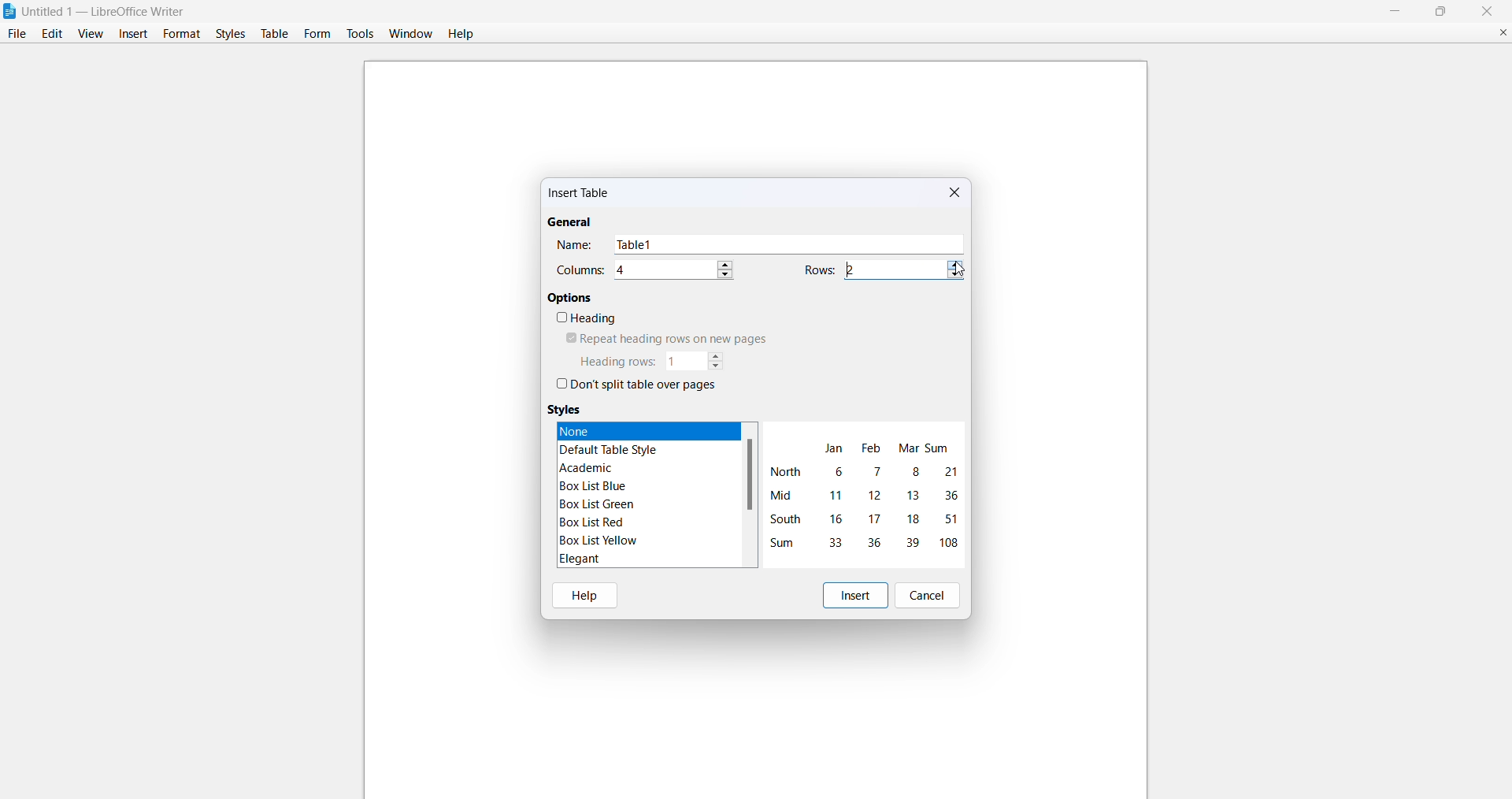 The width and height of the screenshot is (1512, 799). Describe the element at coordinates (893, 269) in the screenshot. I see `number of rows 2` at that location.